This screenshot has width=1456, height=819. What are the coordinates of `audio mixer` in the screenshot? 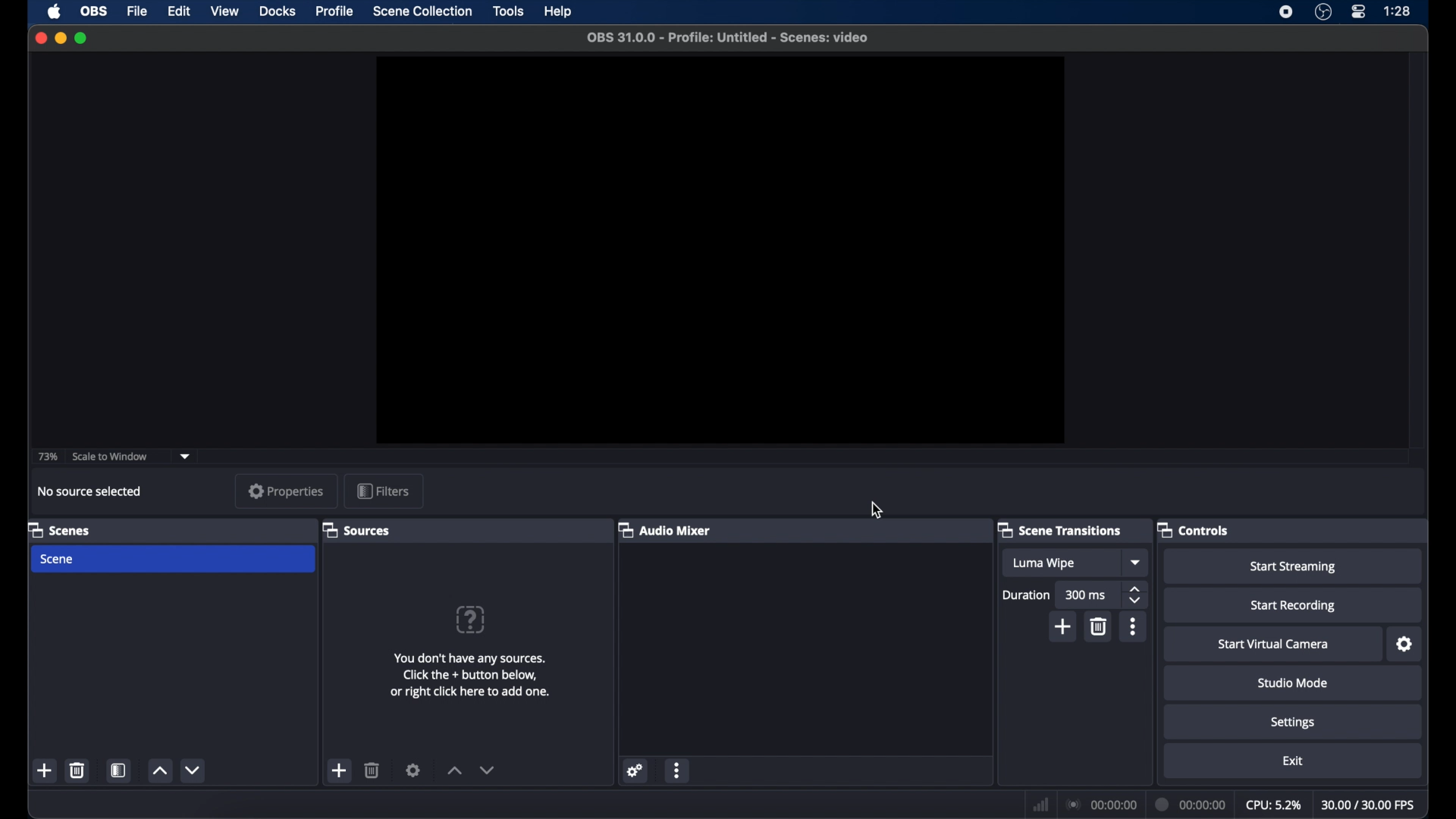 It's located at (667, 530).